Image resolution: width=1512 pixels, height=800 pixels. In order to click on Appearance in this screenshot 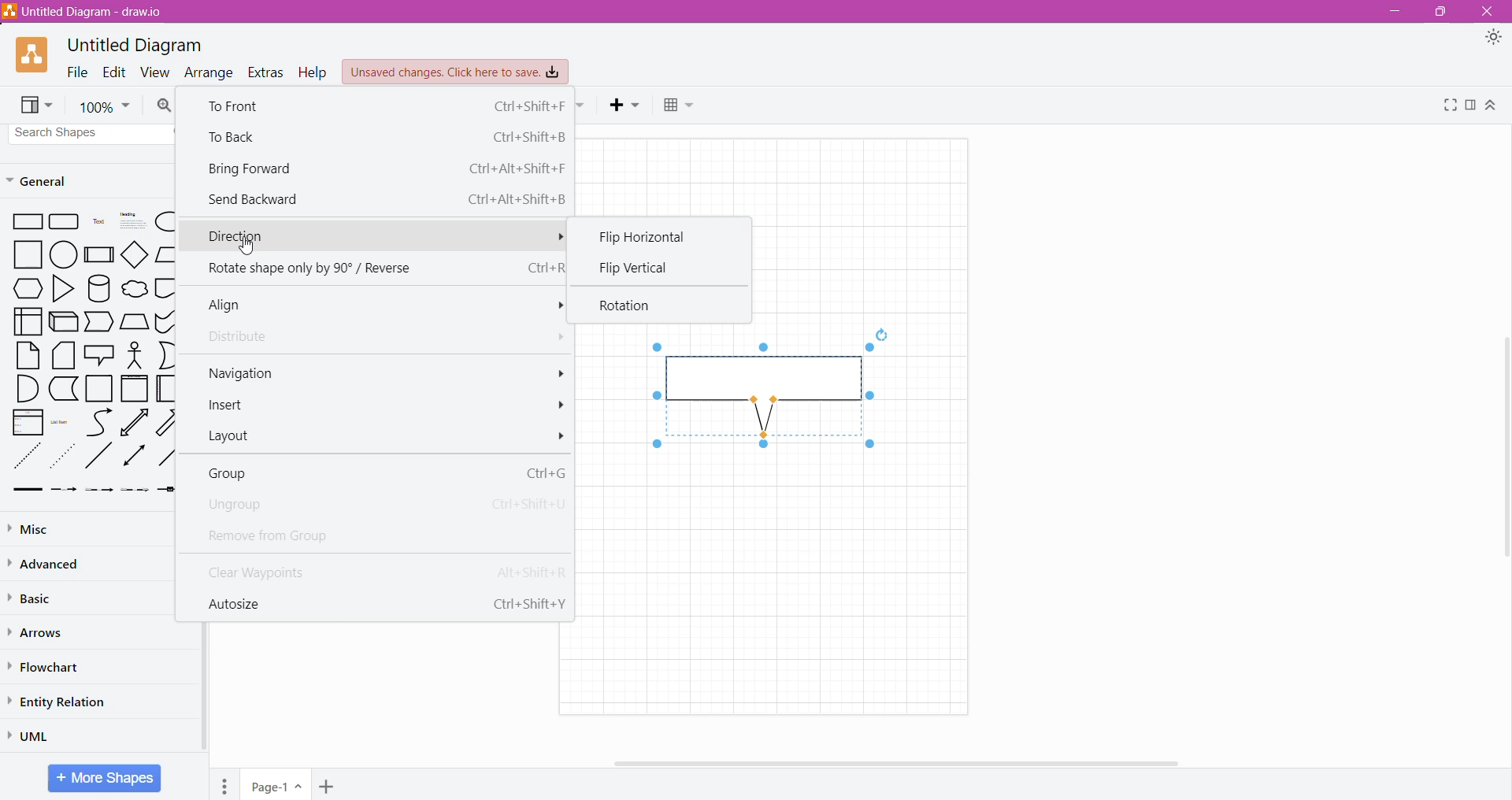, I will do `click(1493, 39)`.